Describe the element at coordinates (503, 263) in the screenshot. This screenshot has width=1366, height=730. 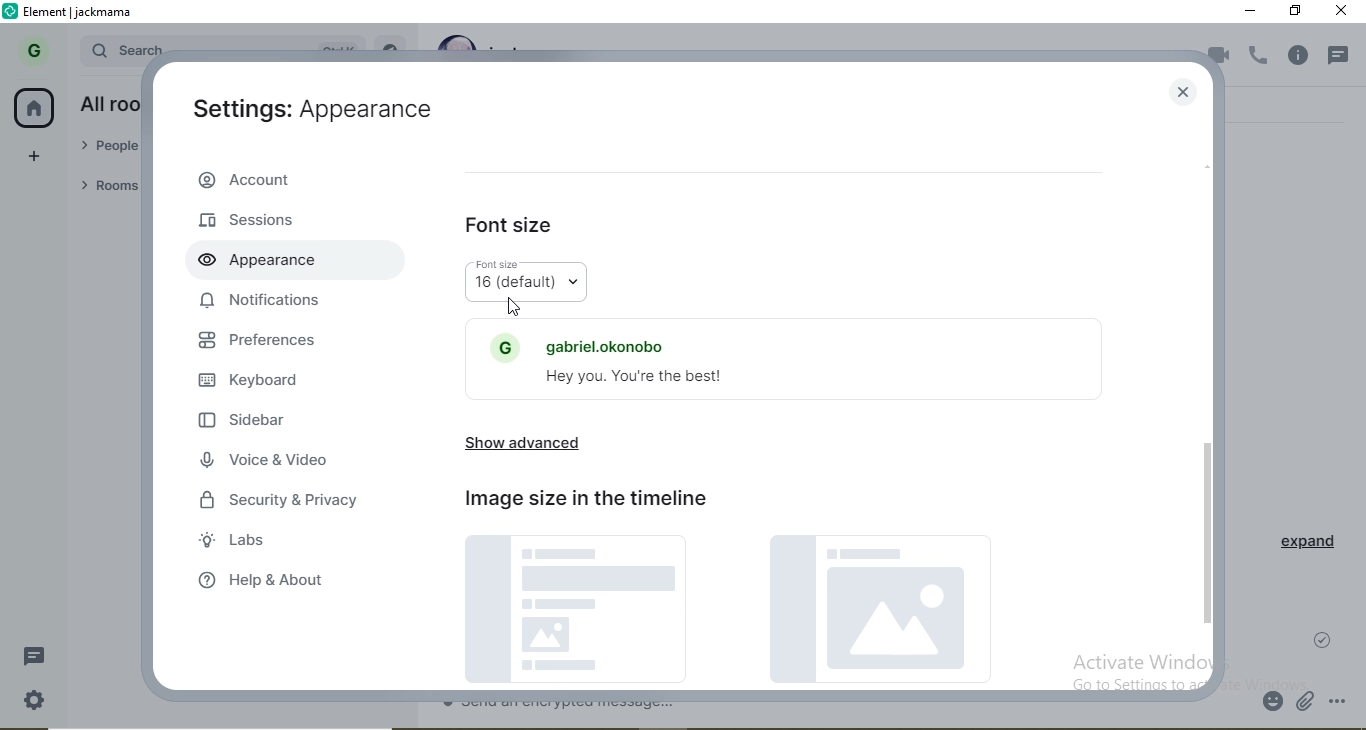
I see `Font size` at that location.